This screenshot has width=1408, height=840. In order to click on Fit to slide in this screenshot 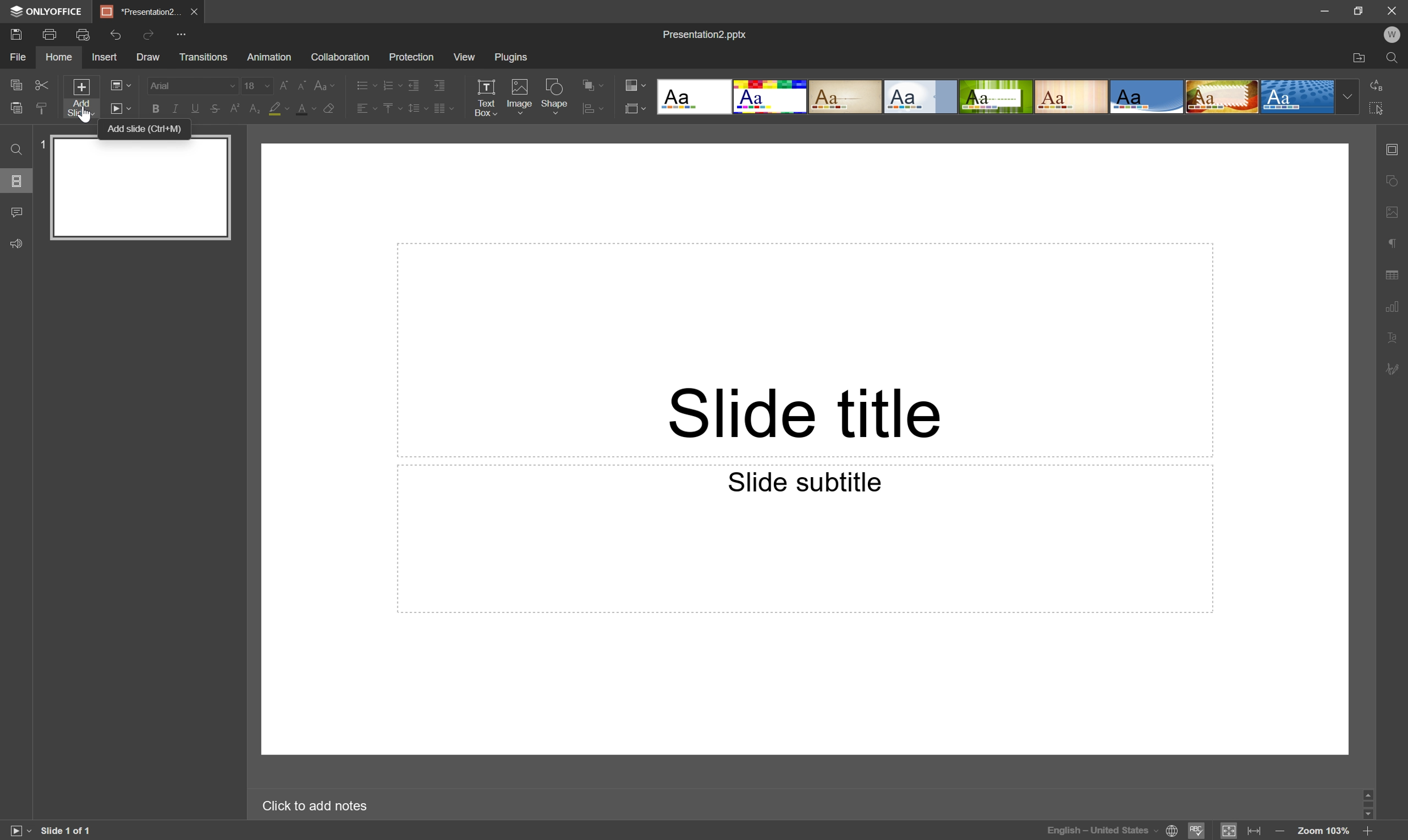, I will do `click(1230, 830)`.